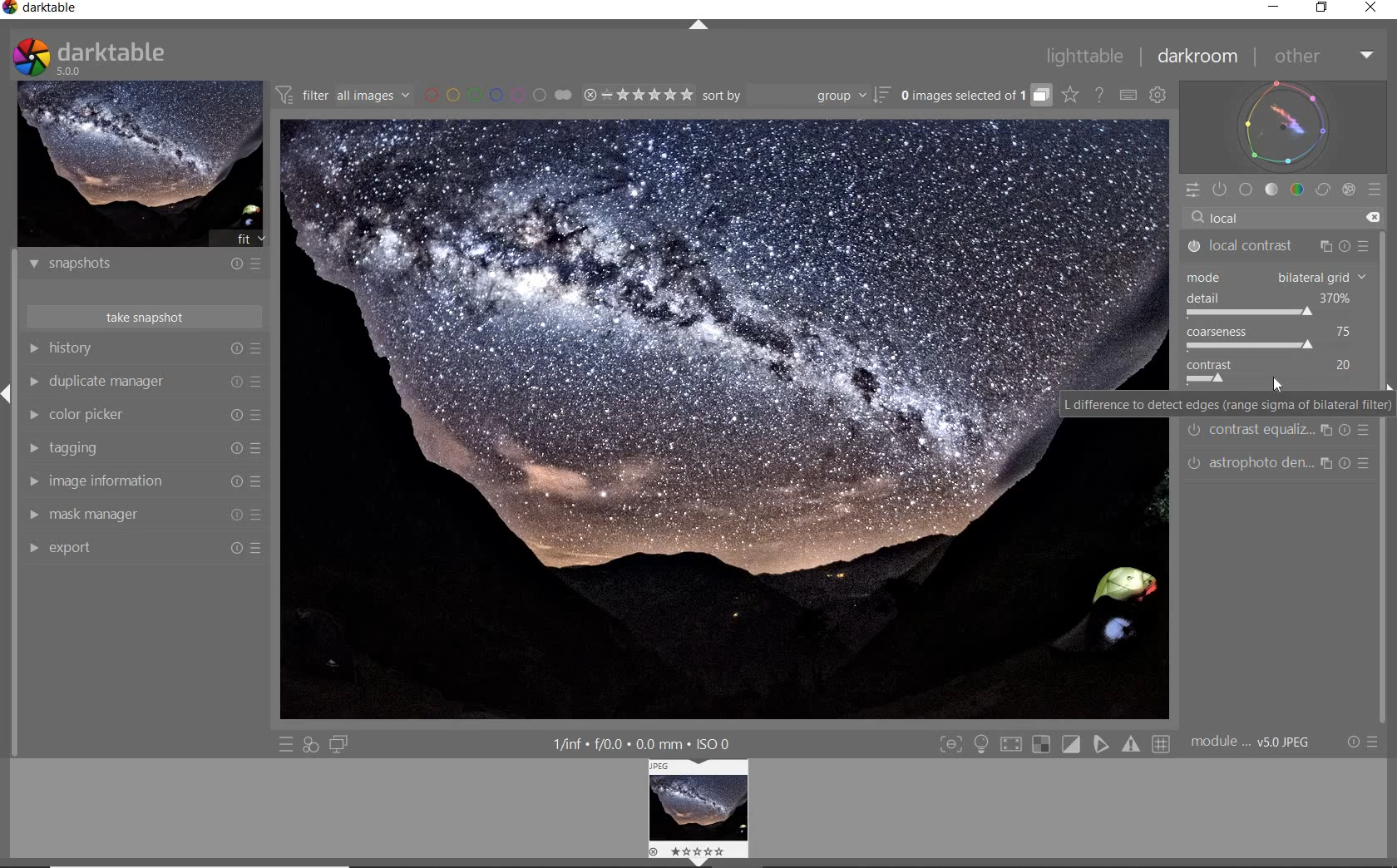 The image size is (1397, 868). What do you see at coordinates (1252, 741) in the screenshot?
I see `Image info` at bounding box center [1252, 741].